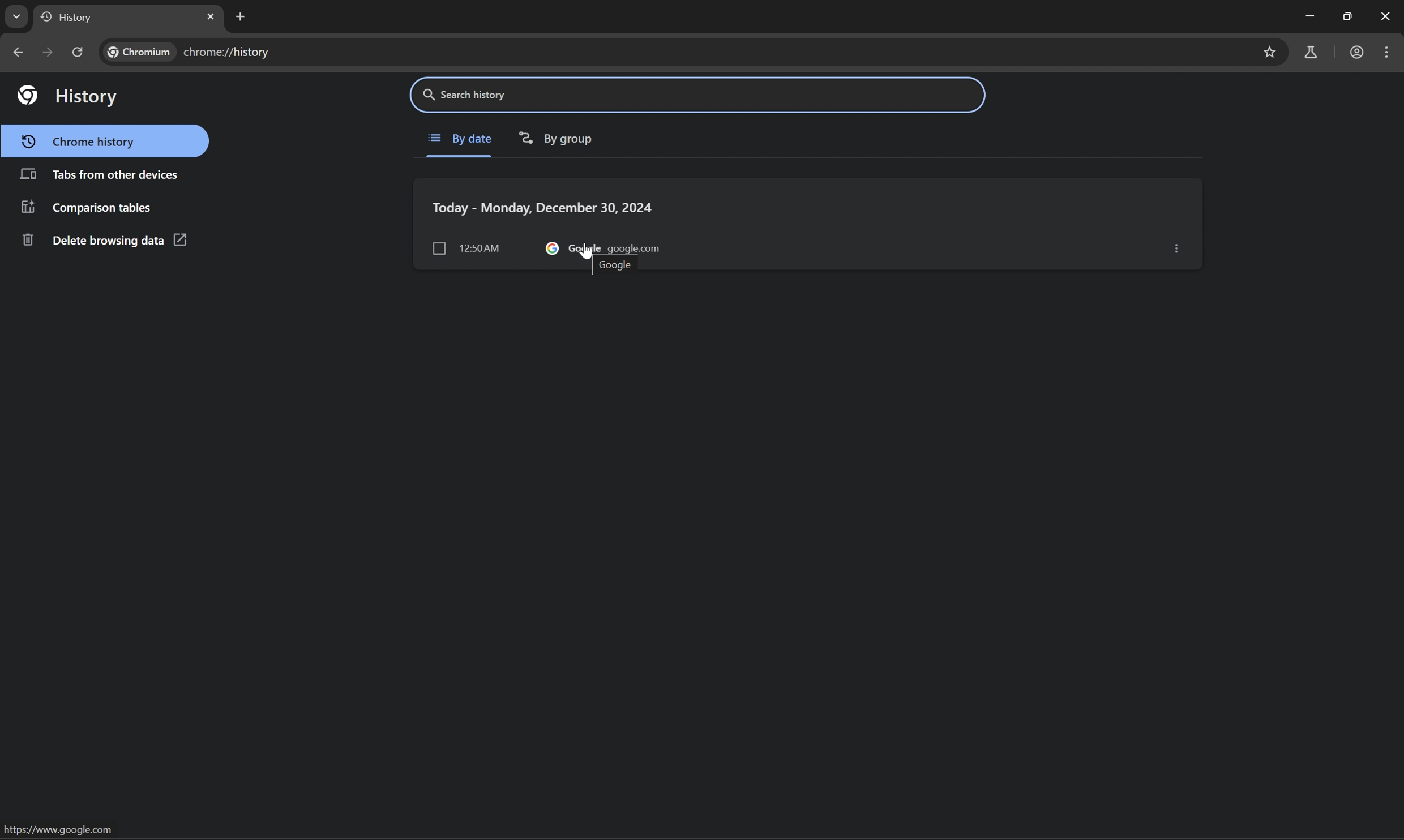  I want to click on history, so click(71, 96).